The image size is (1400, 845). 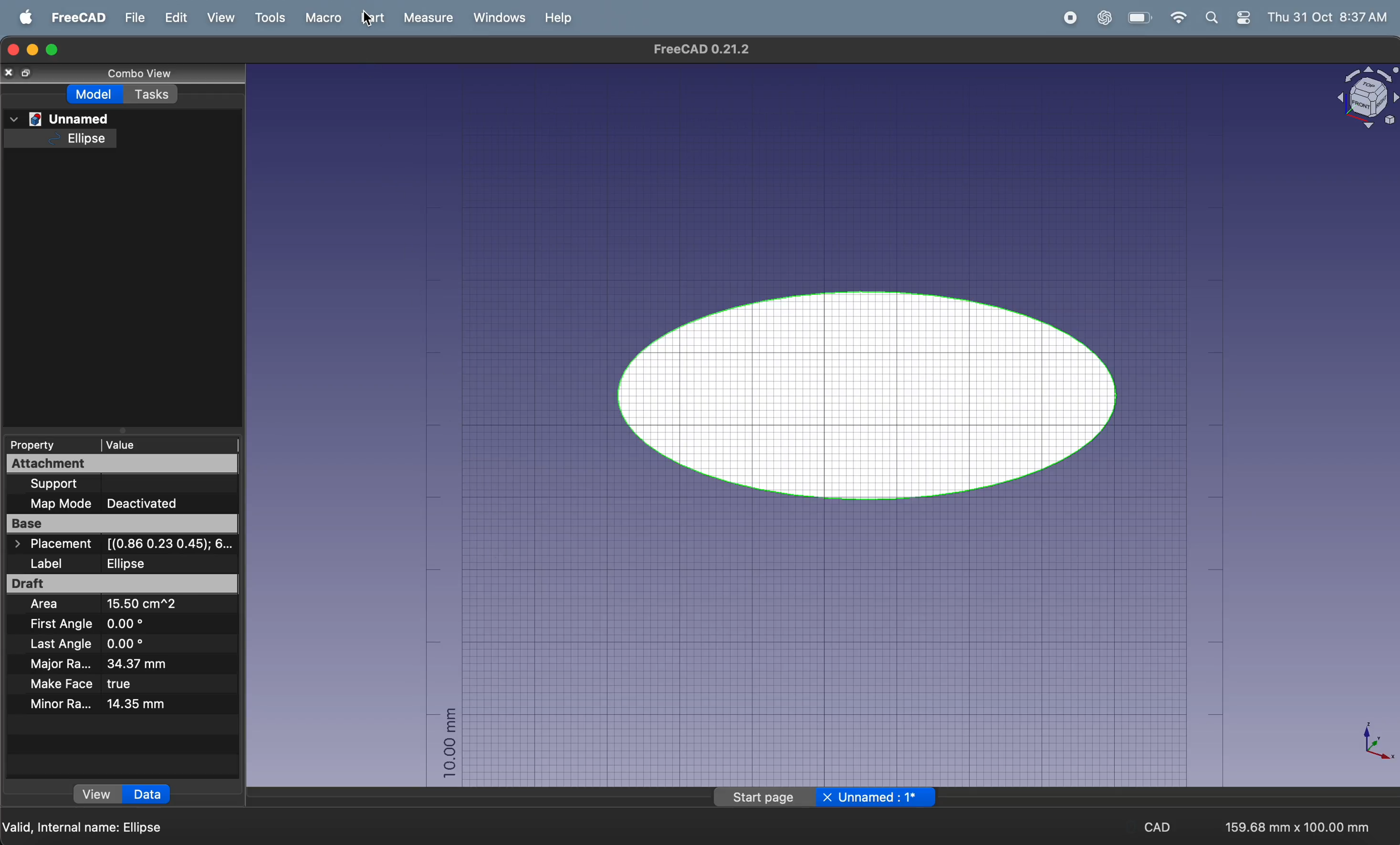 What do you see at coordinates (92, 97) in the screenshot?
I see `model` at bounding box center [92, 97].